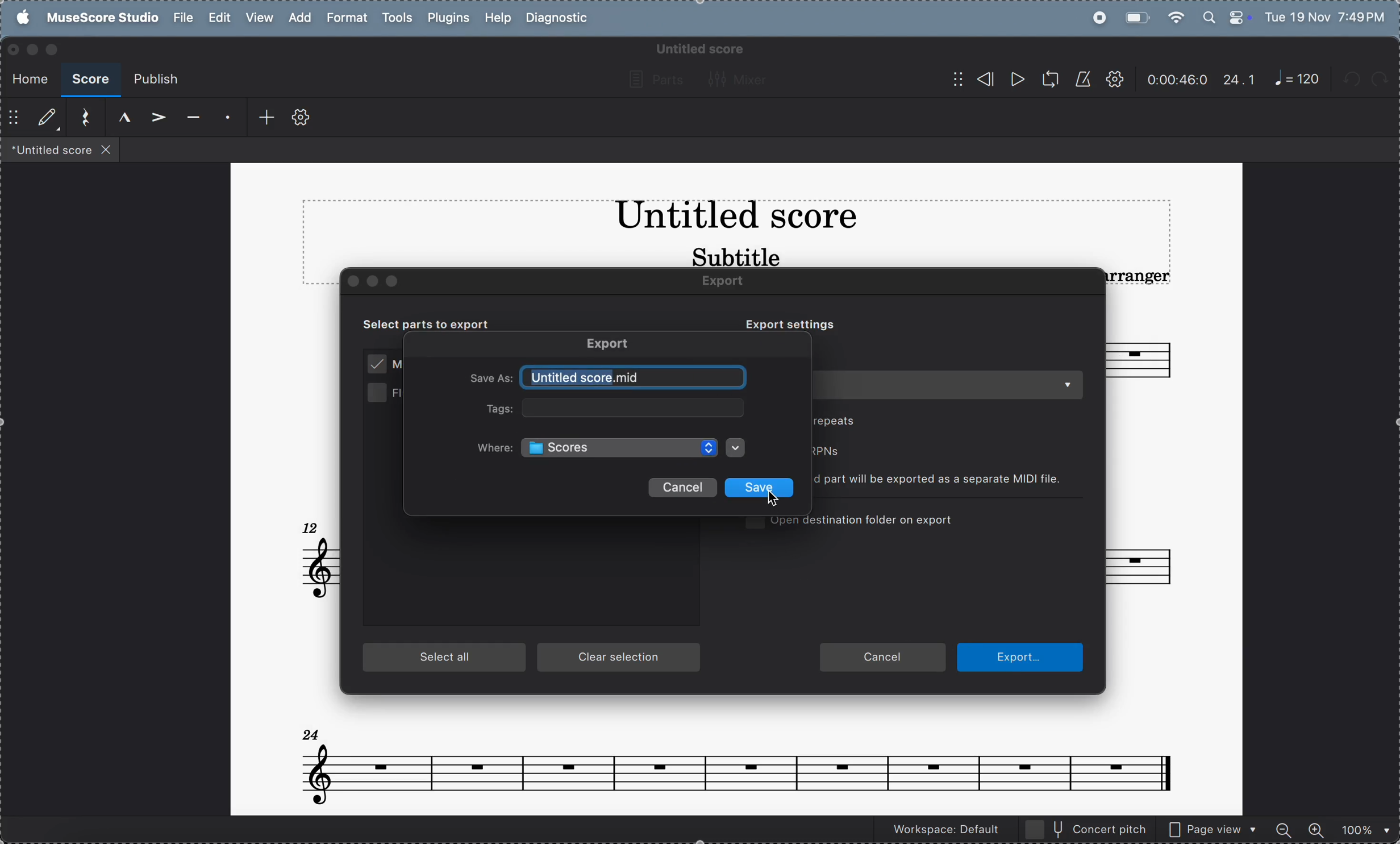 The height and width of the screenshot is (844, 1400). I want to click on undo, so click(1354, 81).